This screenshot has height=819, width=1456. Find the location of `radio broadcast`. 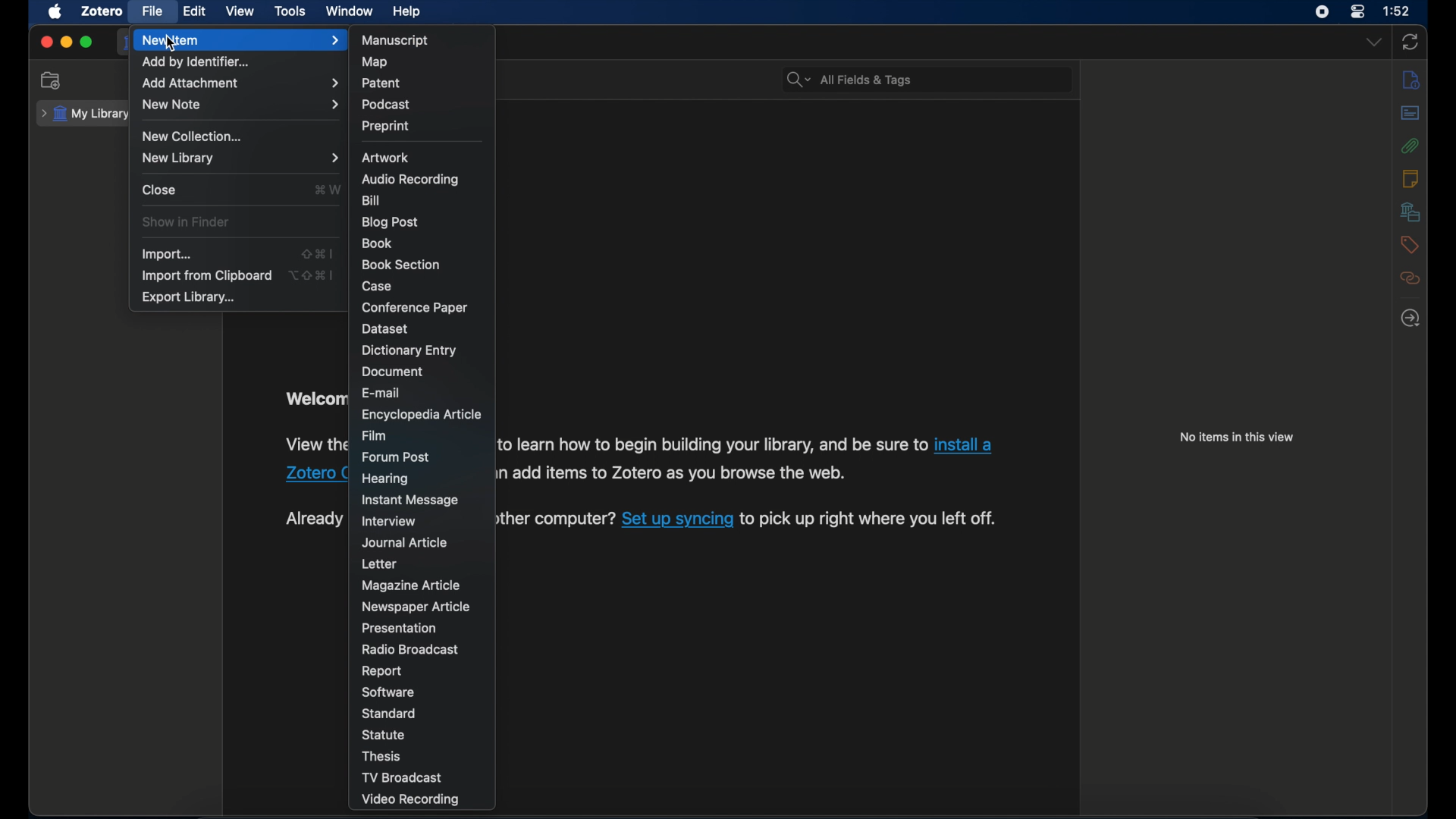

radio broadcast is located at coordinates (409, 649).